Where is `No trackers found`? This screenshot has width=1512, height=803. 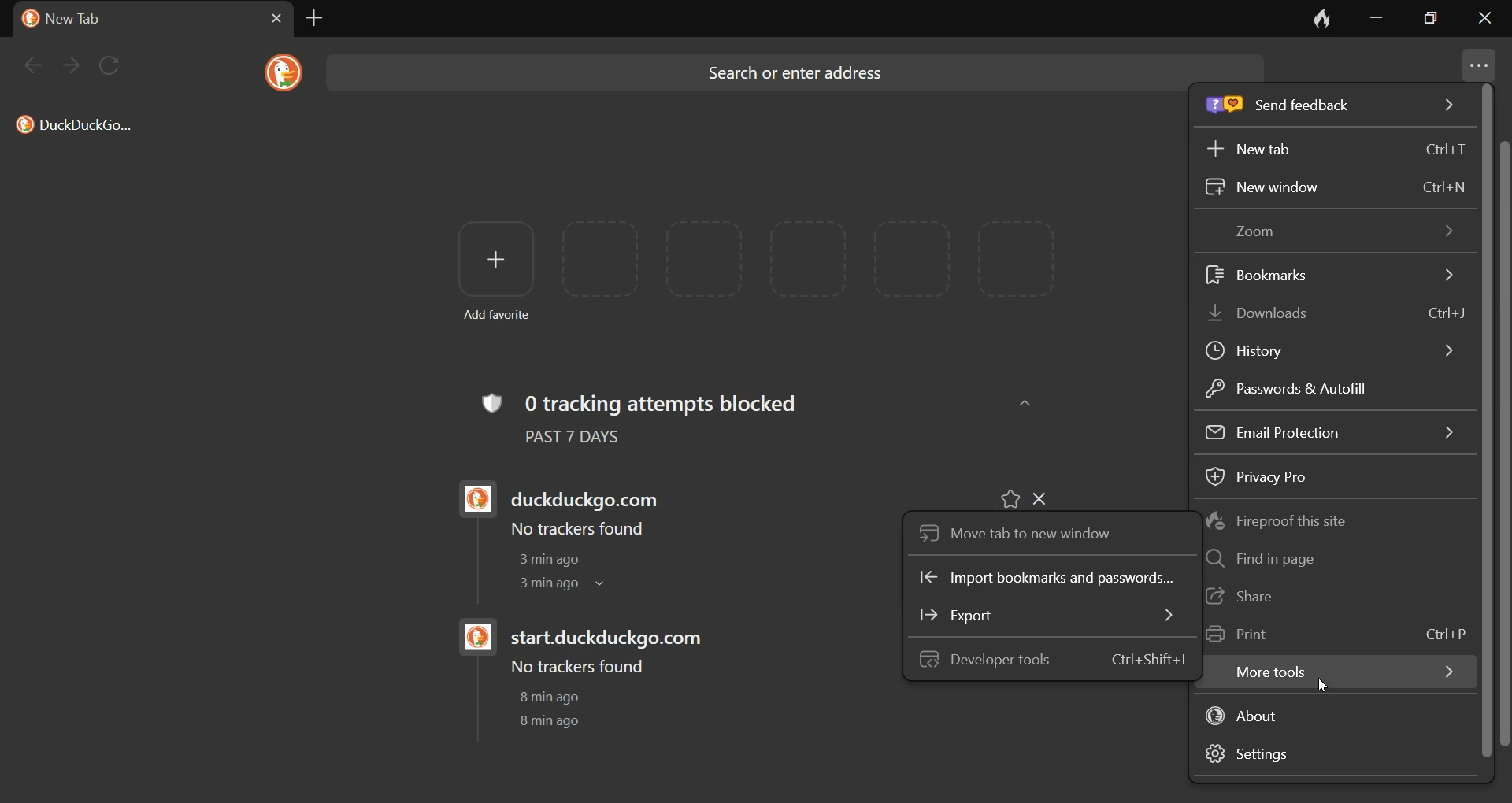
No trackers found is located at coordinates (578, 667).